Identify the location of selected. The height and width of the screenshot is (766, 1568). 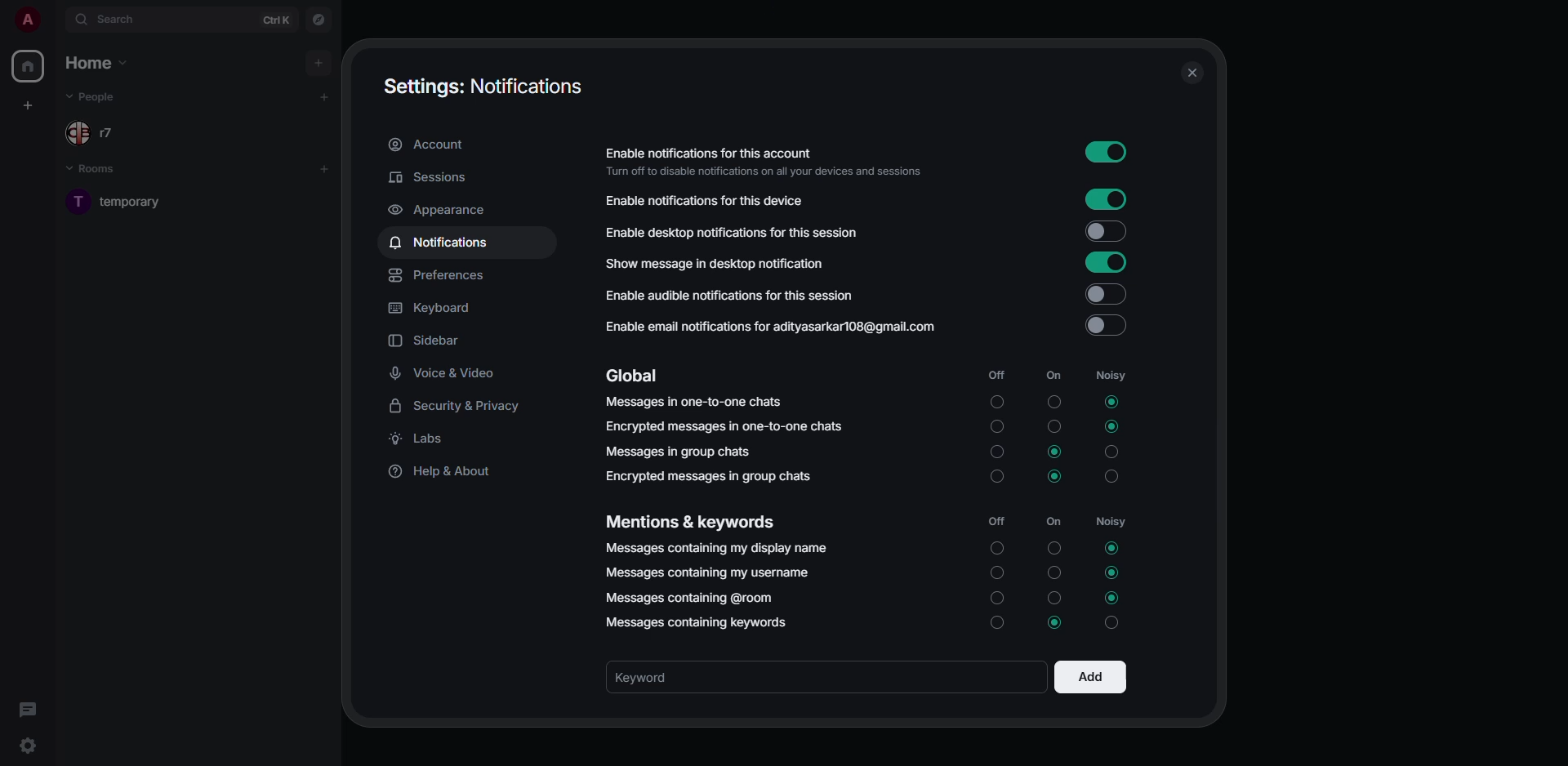
(1116, 598).